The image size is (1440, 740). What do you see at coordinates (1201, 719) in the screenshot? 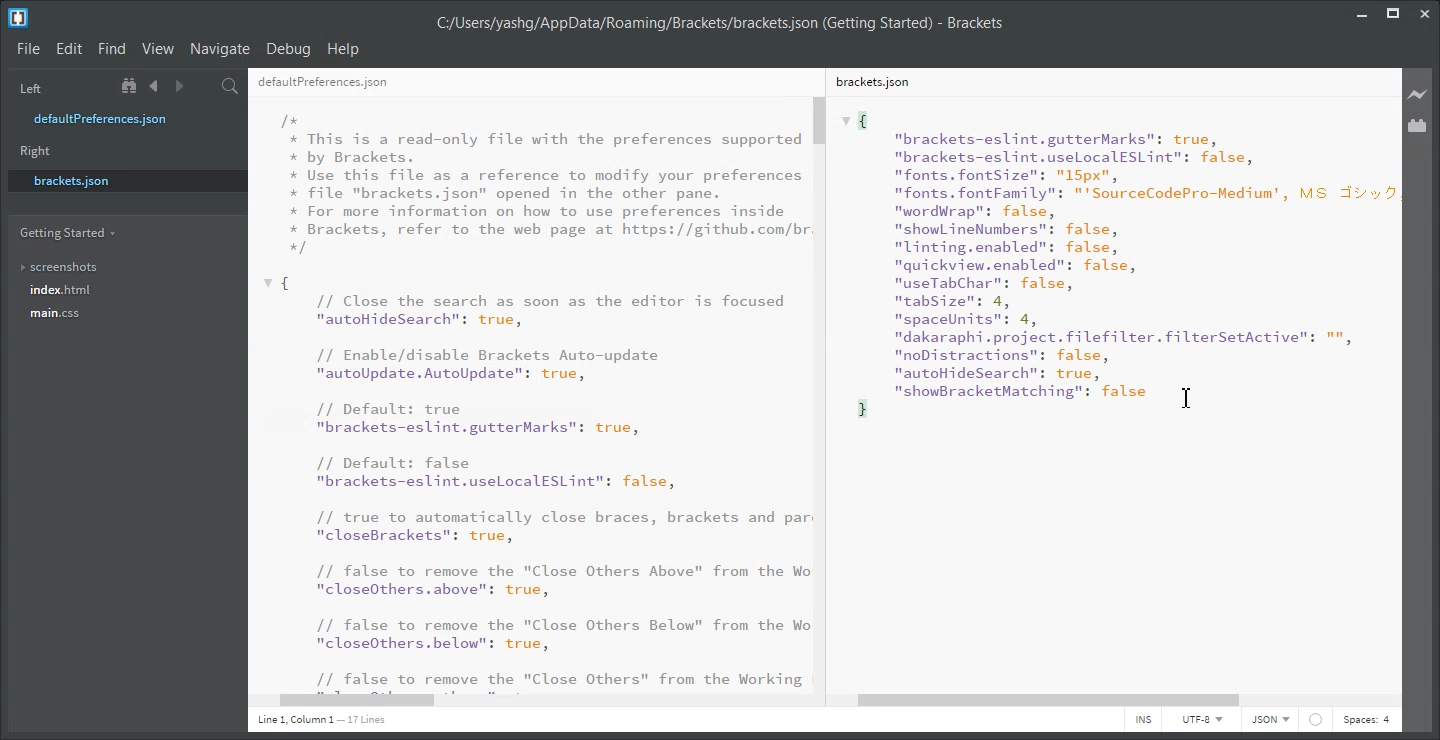
I see `UTF-8` at bounding box center [1201, 719].